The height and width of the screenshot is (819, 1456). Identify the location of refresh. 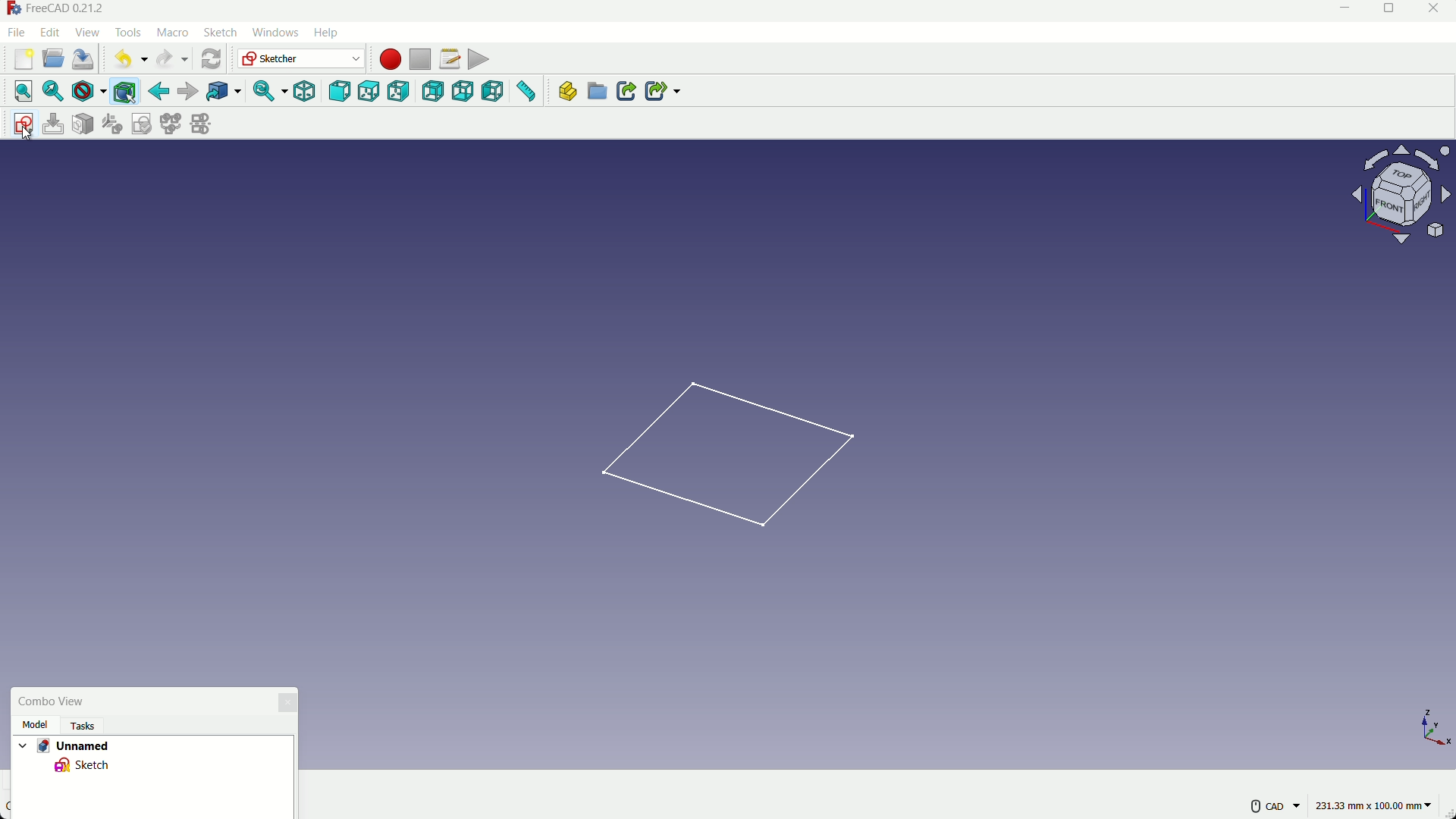
(213, 58).